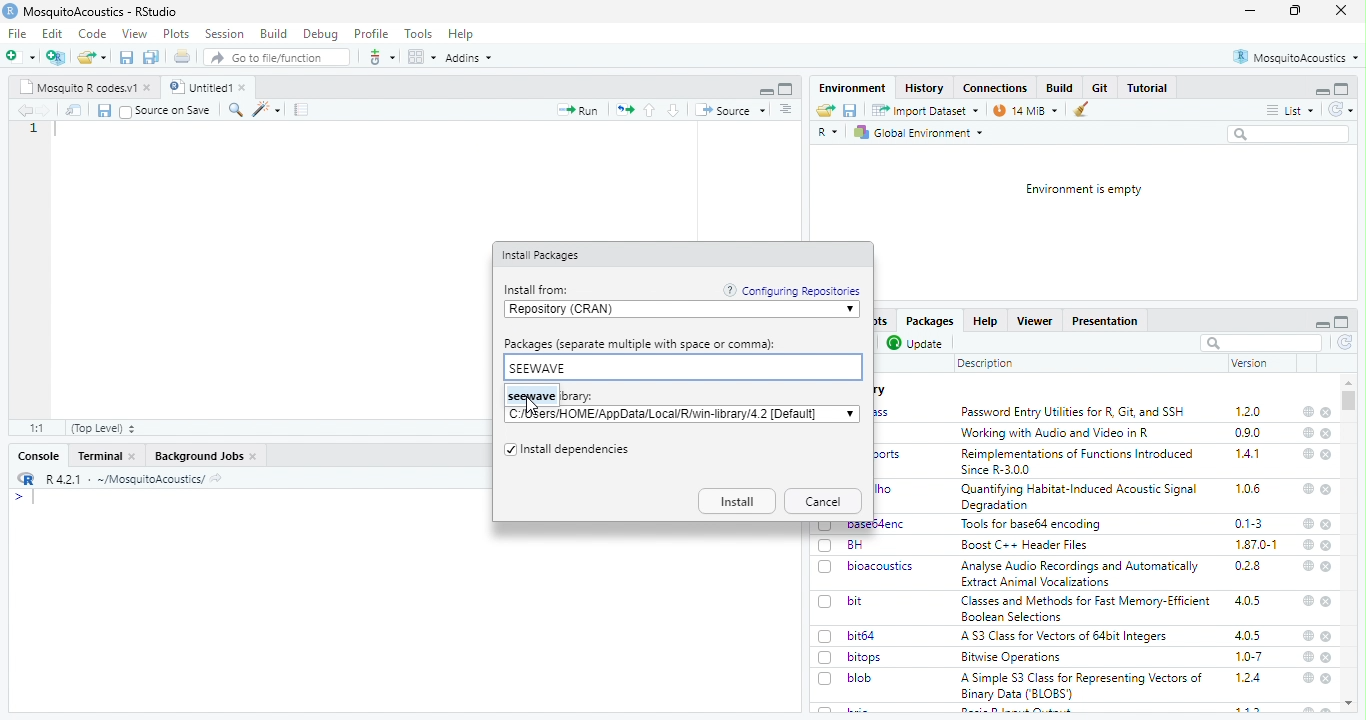 The width and height of the screenshot is (1366, 720). I want to click on View, so click(136, 34).